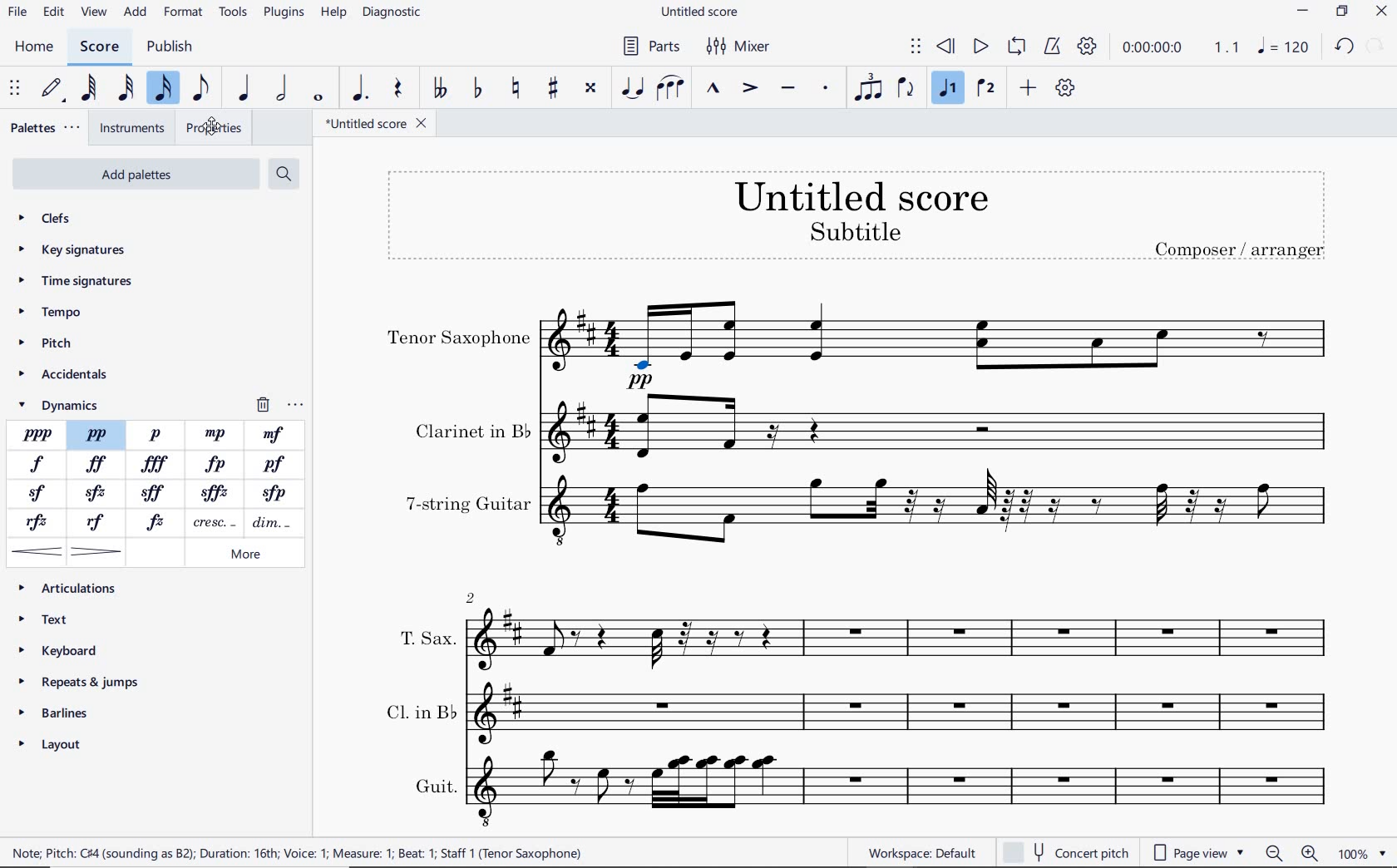  What do you see at coordinates (467, 504) in the screenshot?
I see `text` at bounding box center [467, 504].